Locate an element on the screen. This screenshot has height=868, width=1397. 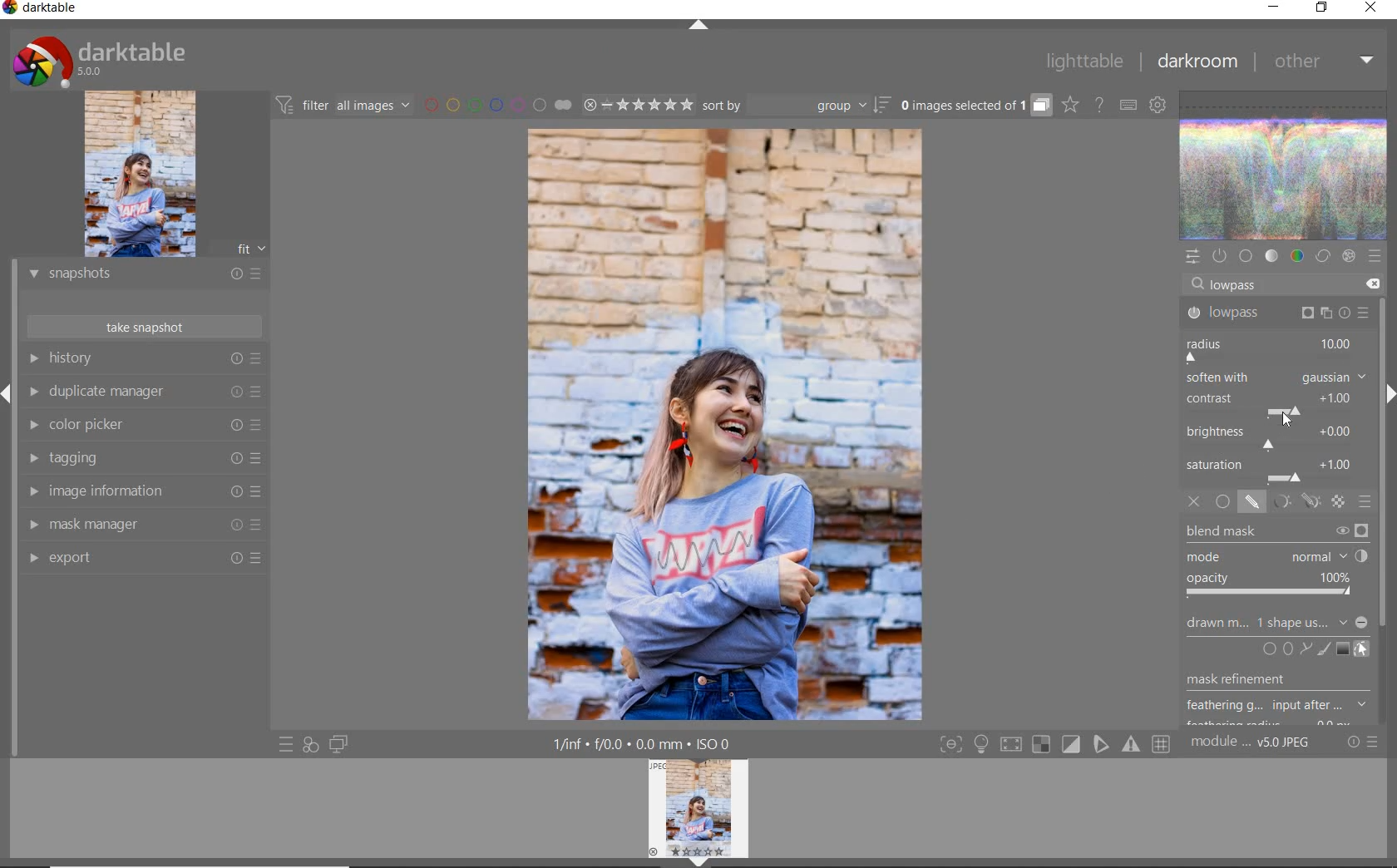
quick access for applying any of your styles is located at coordinates (311, 744).